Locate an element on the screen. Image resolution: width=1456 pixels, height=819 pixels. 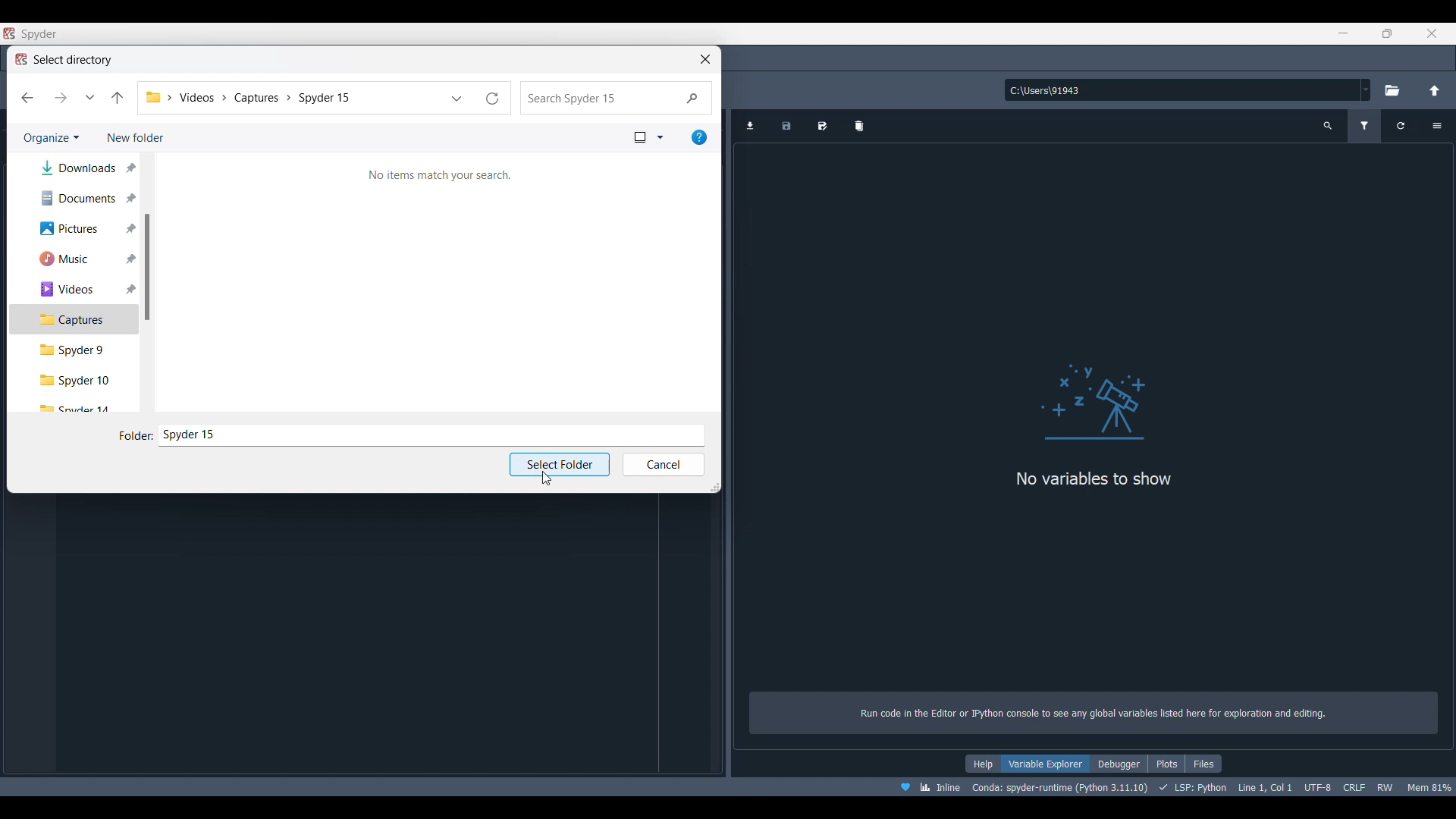
Cancel is located at coordinates (664, 465).